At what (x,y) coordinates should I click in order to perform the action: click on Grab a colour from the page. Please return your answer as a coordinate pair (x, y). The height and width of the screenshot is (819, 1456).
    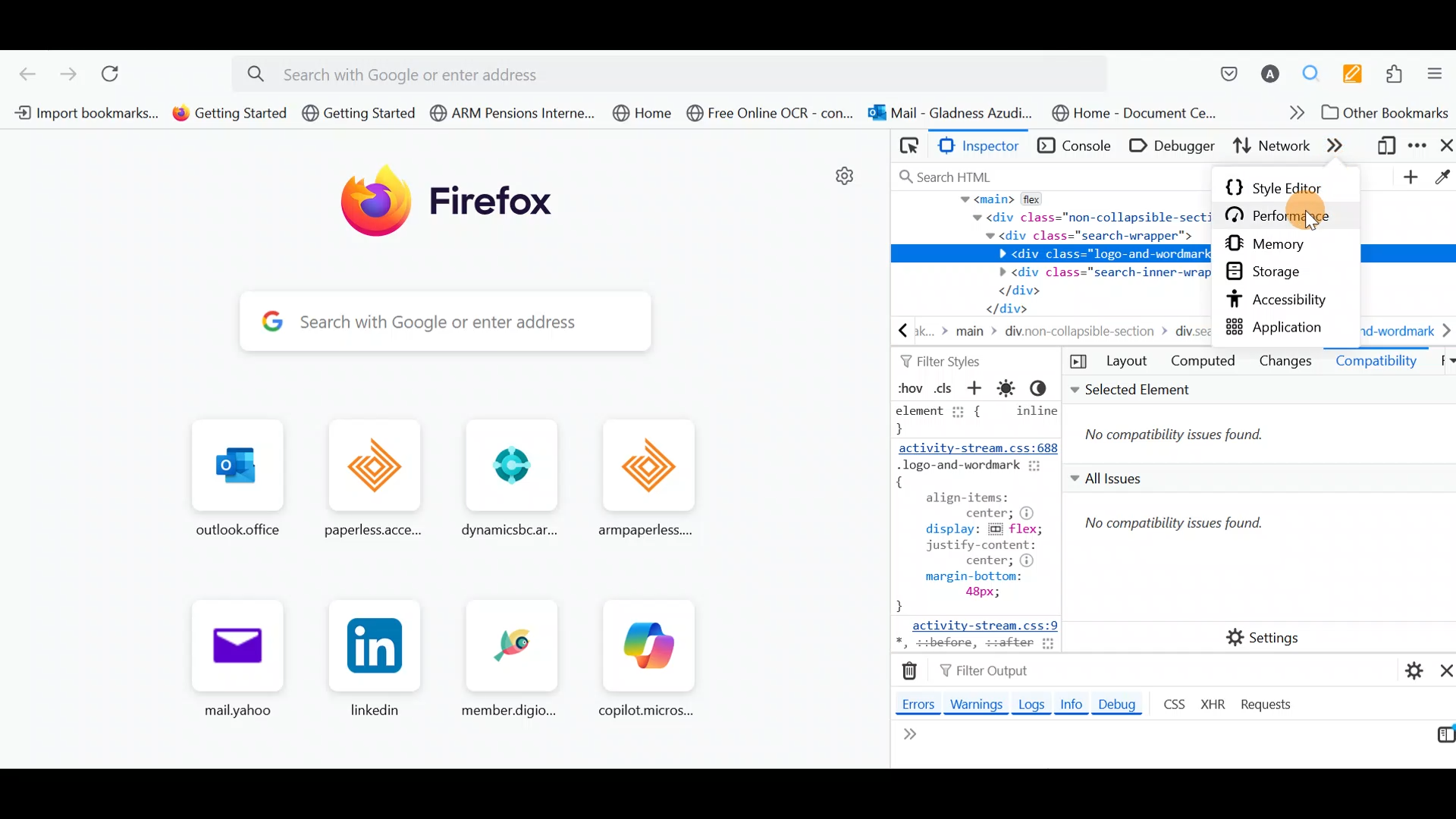
    Looking at the image, I should click on (1441, 174).